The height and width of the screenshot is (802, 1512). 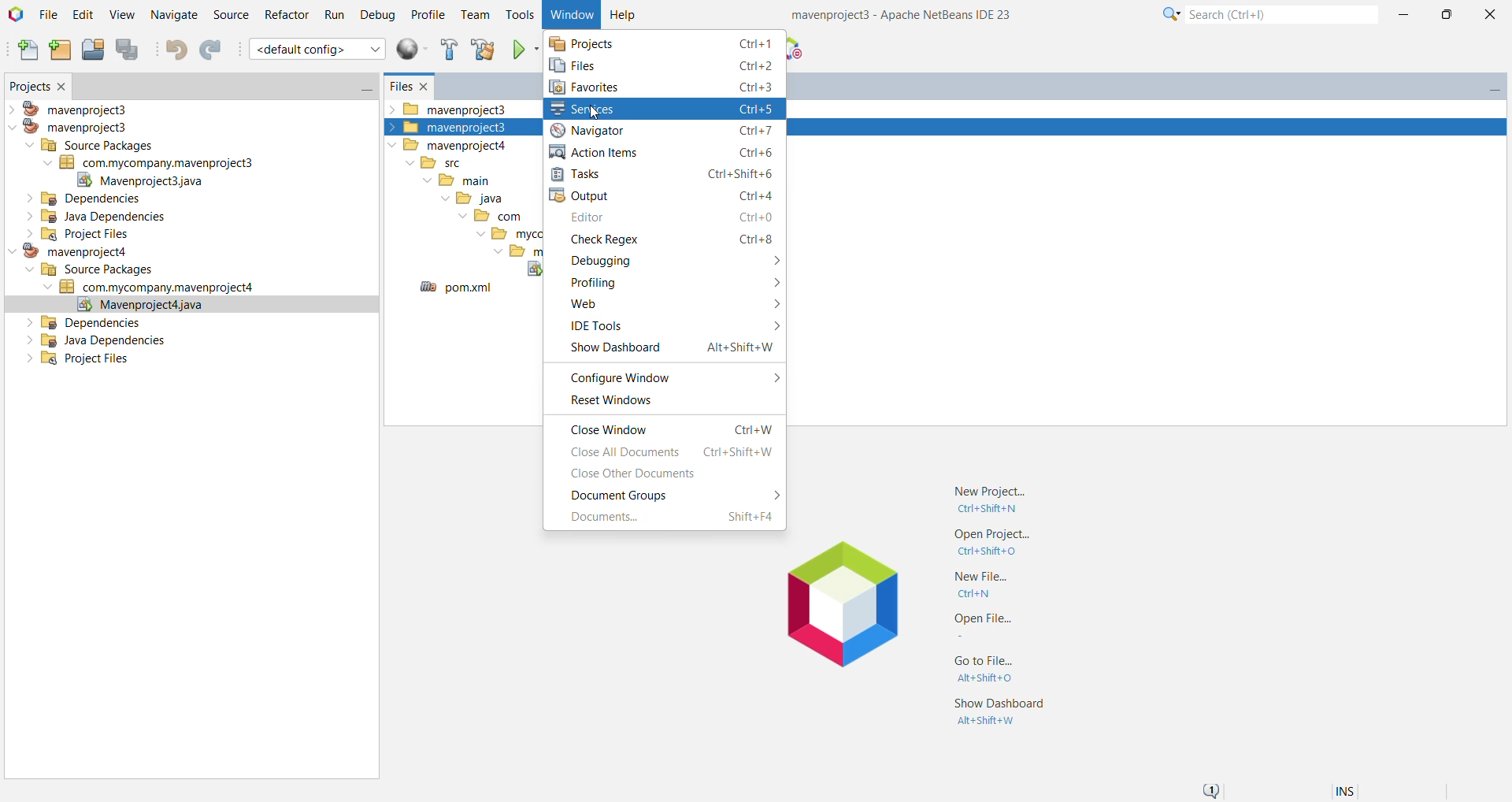 What do you see at coordinates (996, 497) in the screenshot?
I see `New Project` at bounding box center [996, 497].